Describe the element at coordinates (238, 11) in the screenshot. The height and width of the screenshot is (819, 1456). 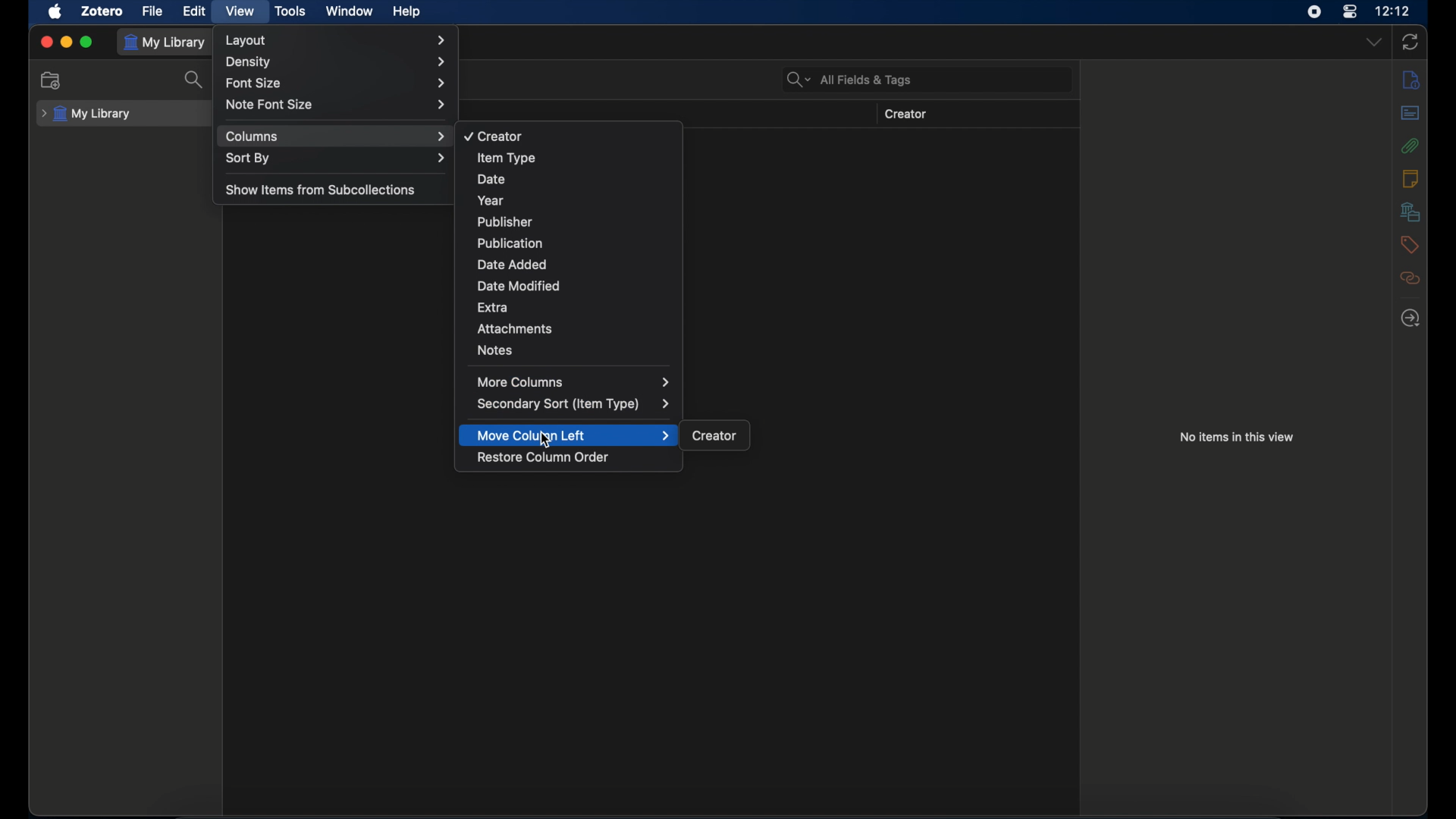
I see `view` at that location.